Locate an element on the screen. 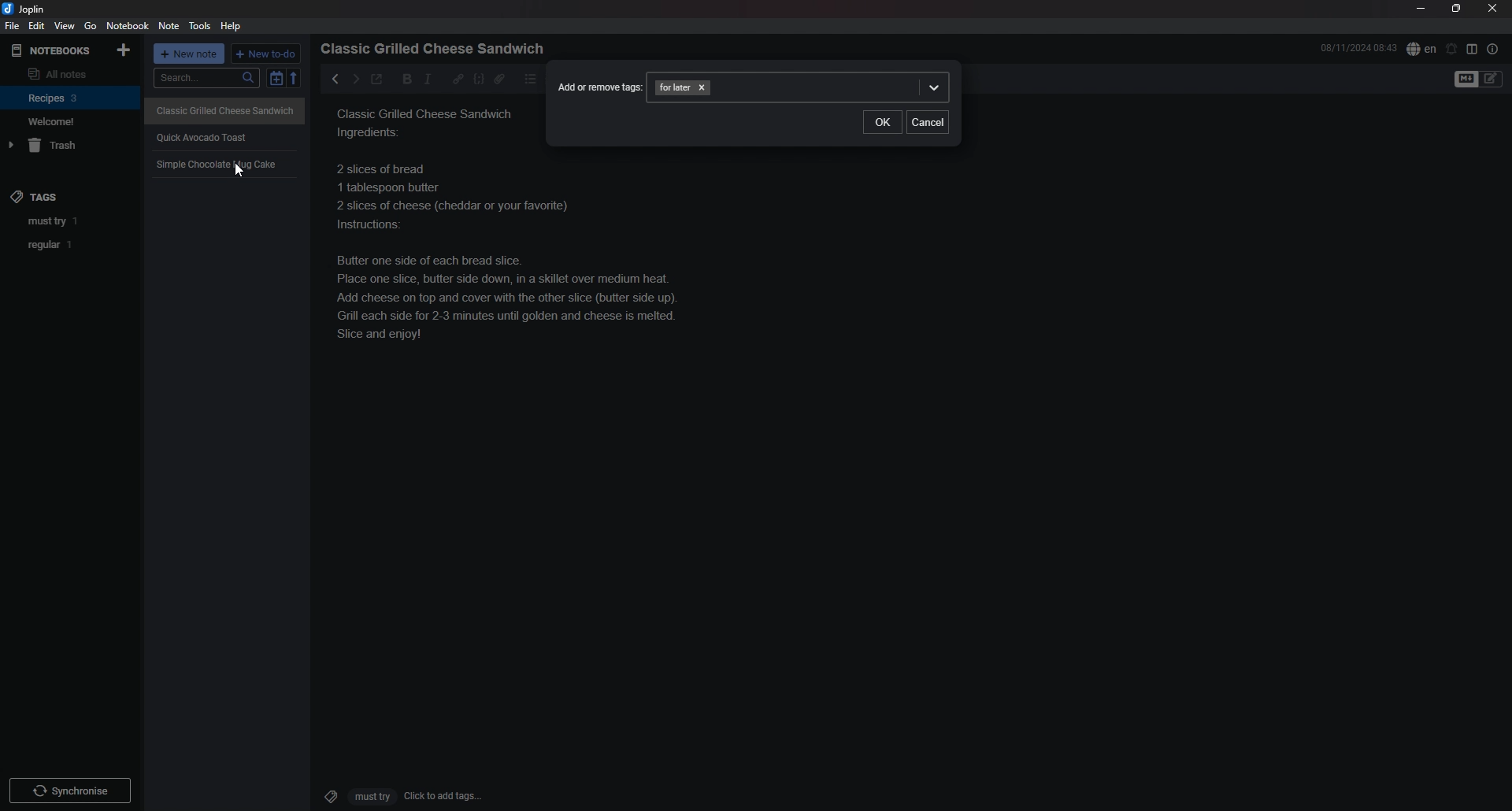 This screenshot has height=811, width=1512. ok is located at coordinates (882, 121).